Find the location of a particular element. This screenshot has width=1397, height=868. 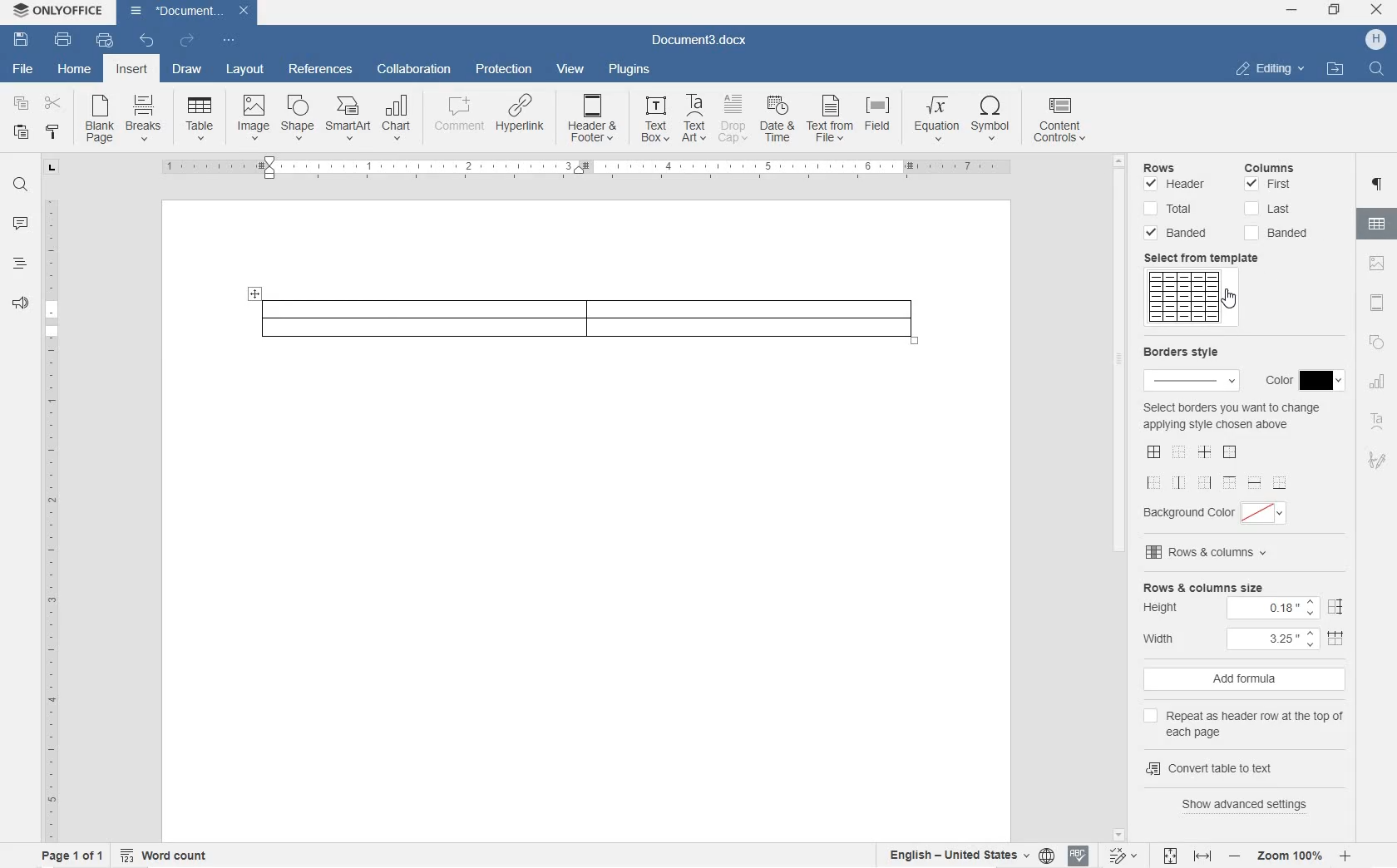

Text from file is located at coordinates (831, 121).